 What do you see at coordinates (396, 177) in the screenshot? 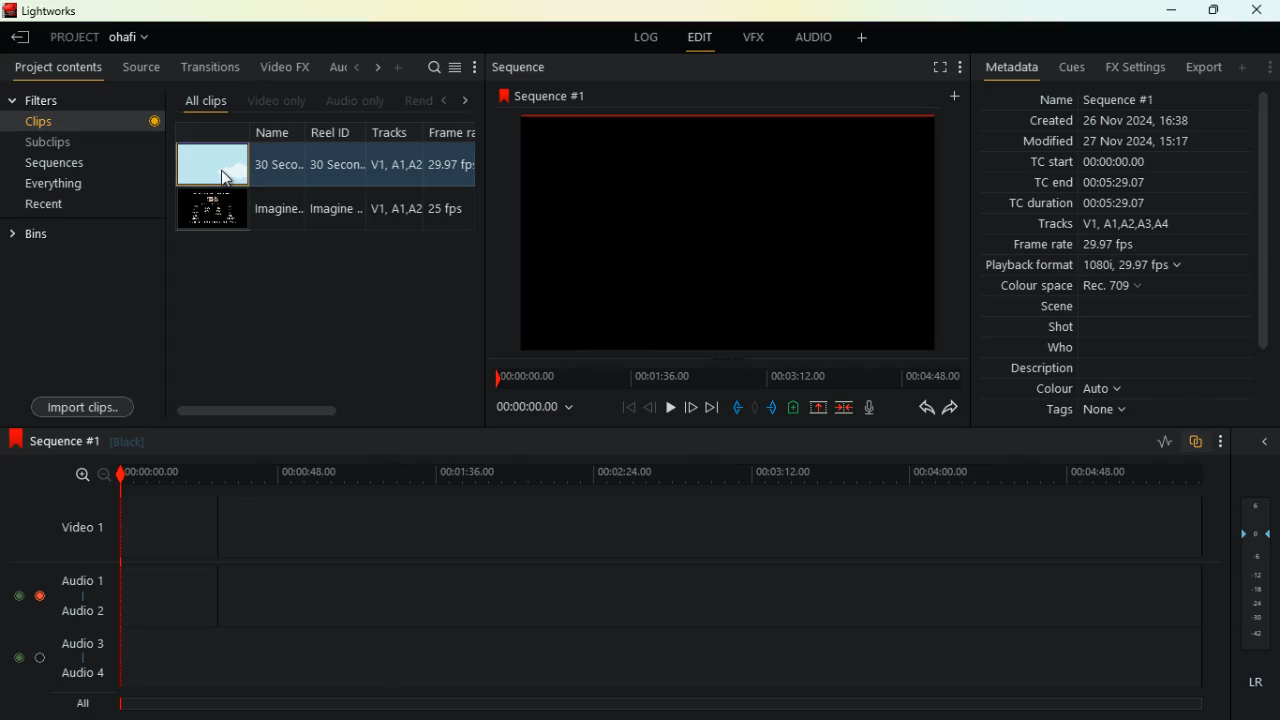
I see `tracks` at bounding box center [396, 177].